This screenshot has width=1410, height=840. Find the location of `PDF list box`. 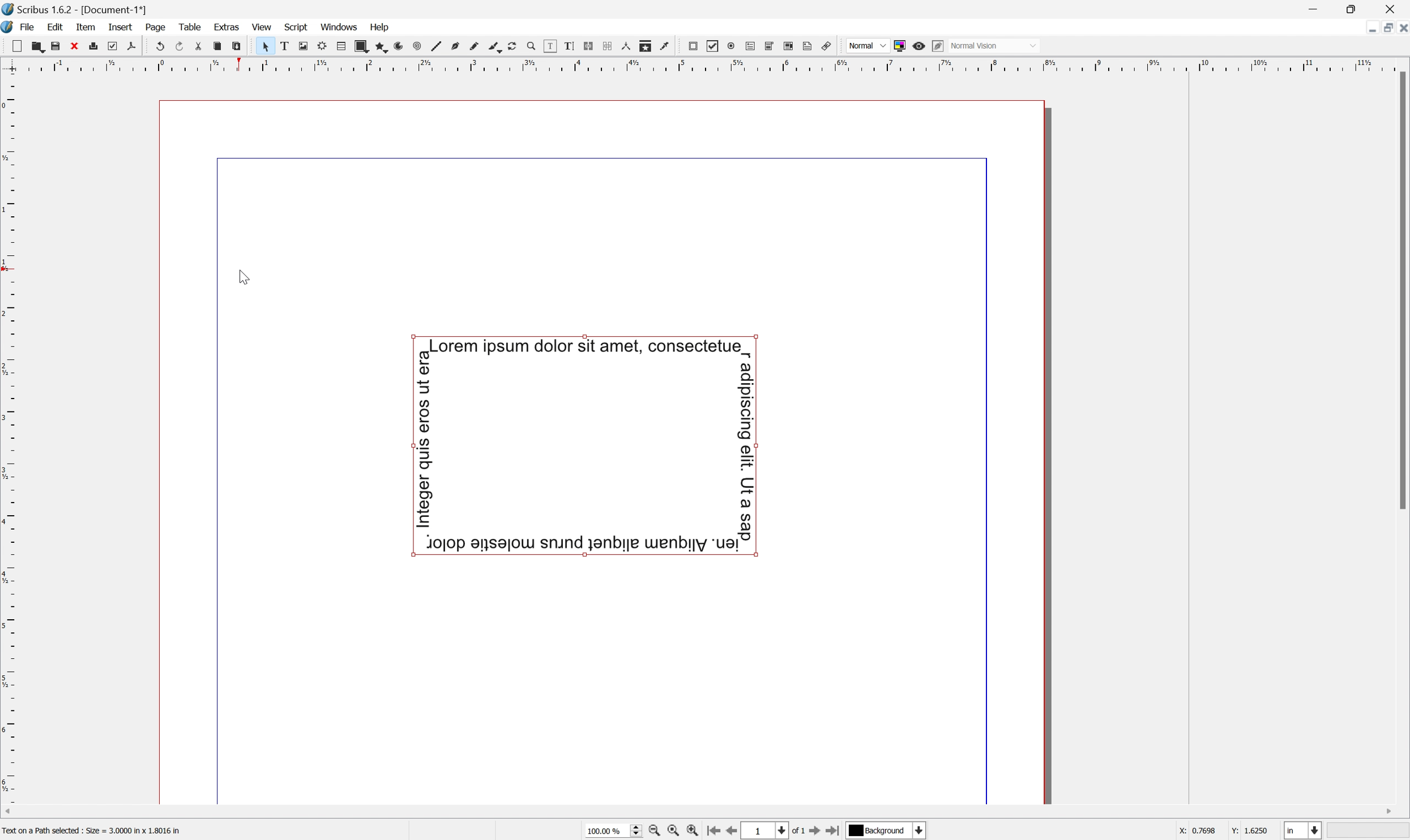

PDF list box is located at coordinates (789, 46).